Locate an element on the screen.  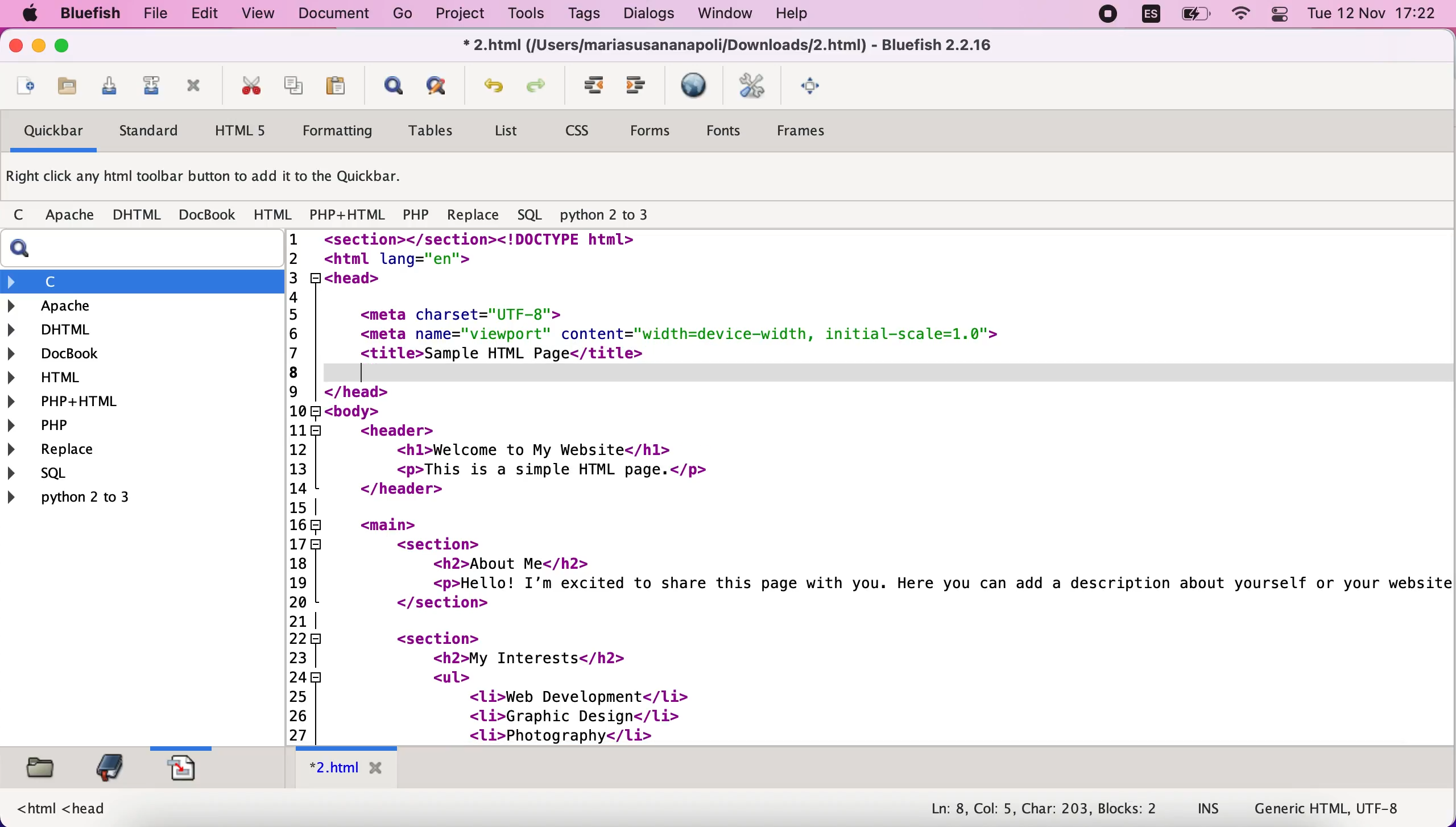
open file is located at coordinates (67, 86).